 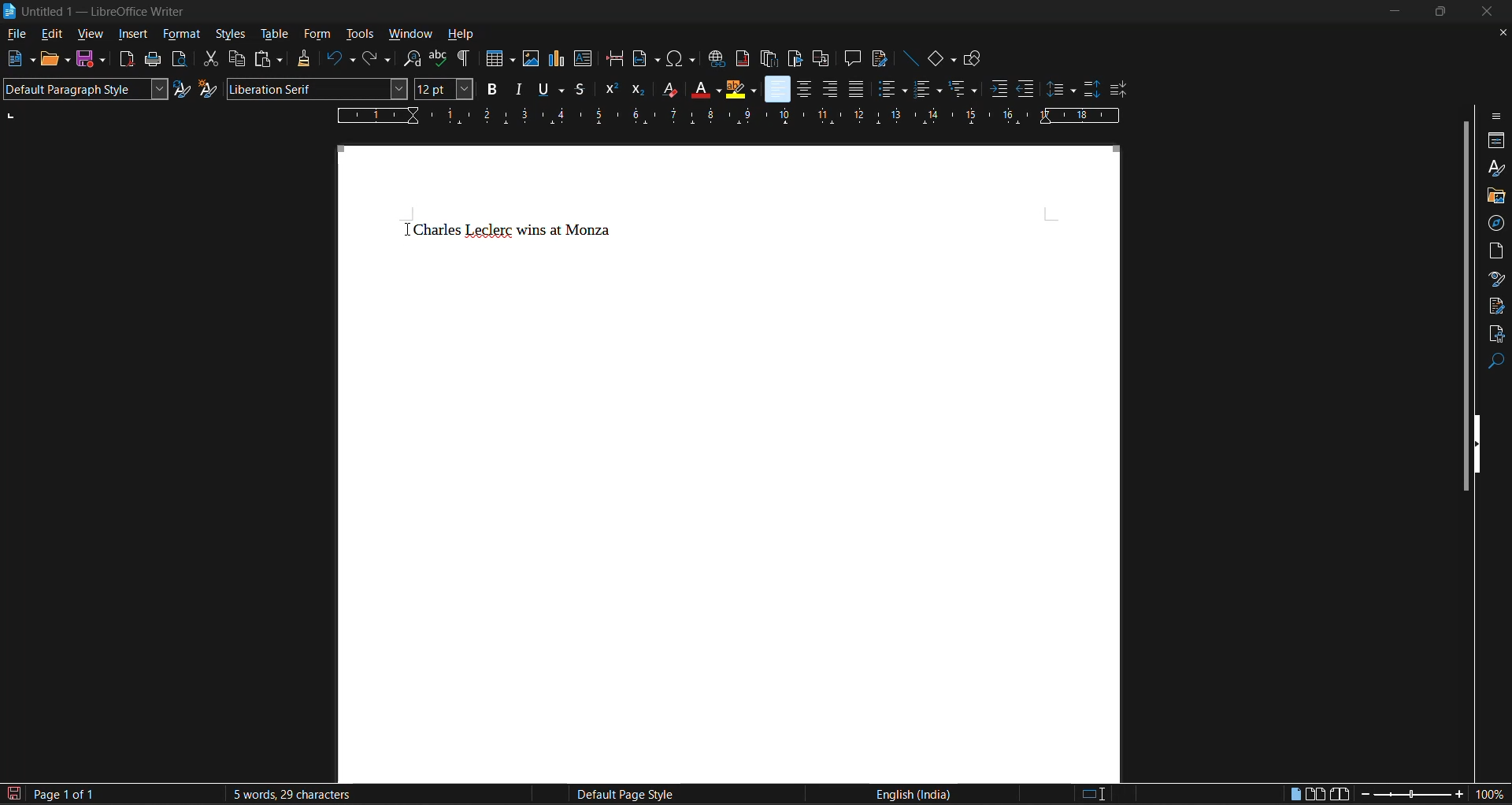 What do you see at coordinates (532, 59) in the screenshot?
I see `insert image` at bounding box center [532, 59].